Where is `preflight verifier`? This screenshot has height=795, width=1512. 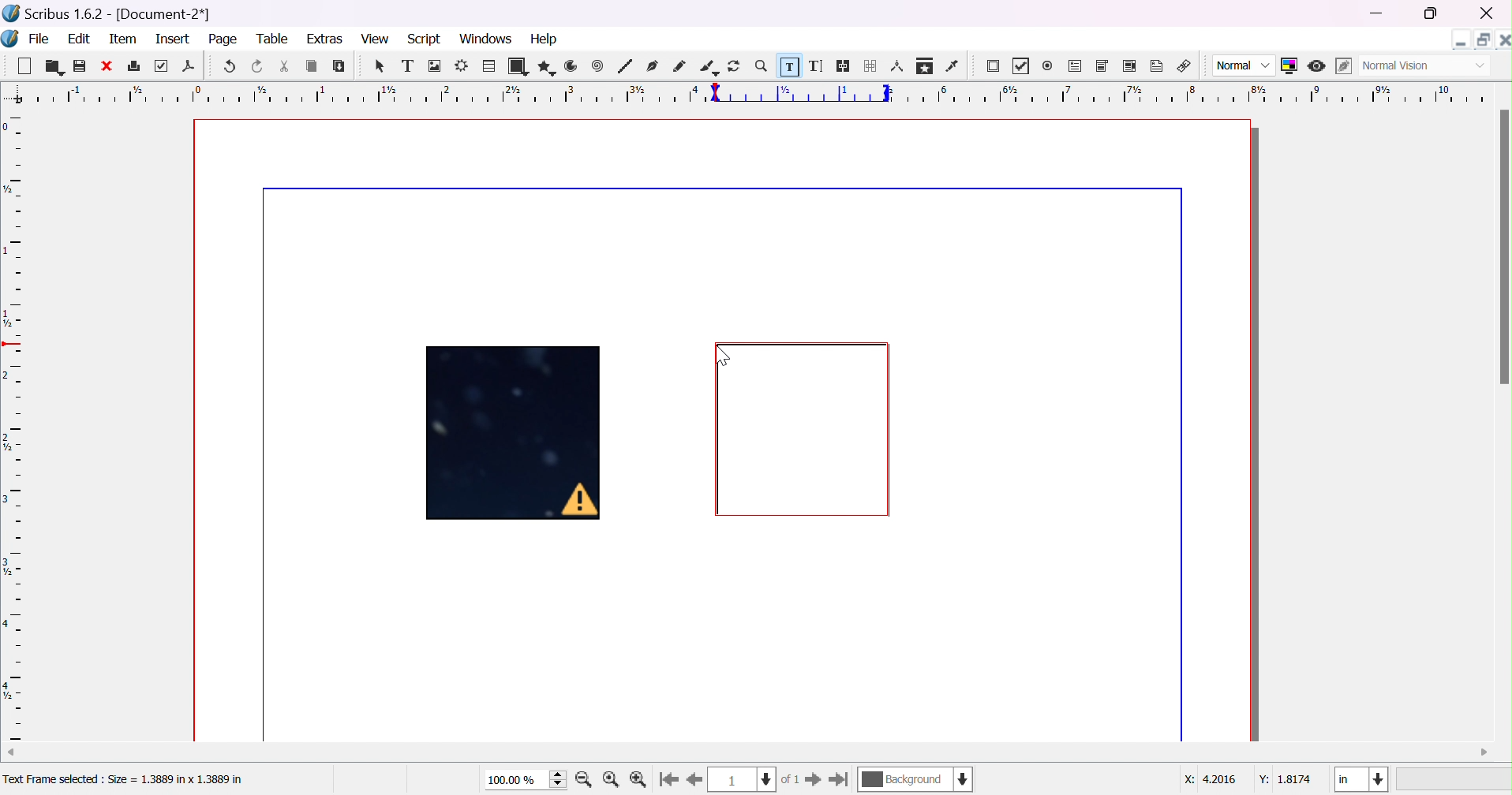 preflight verifier is located at coordinates (163, 66).